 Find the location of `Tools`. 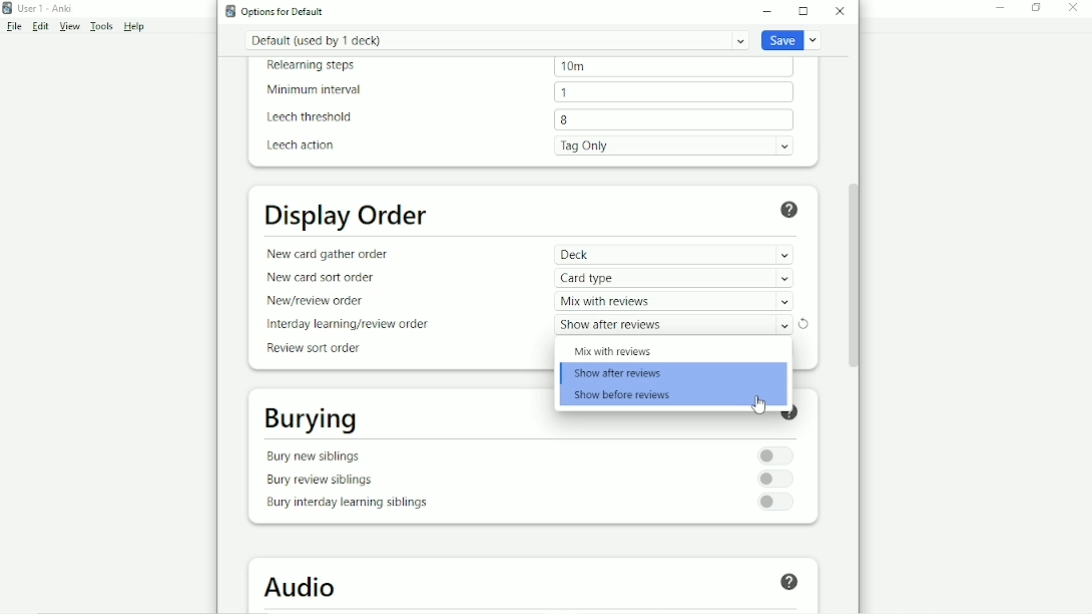

Tools is located at coordinates (101, 26).